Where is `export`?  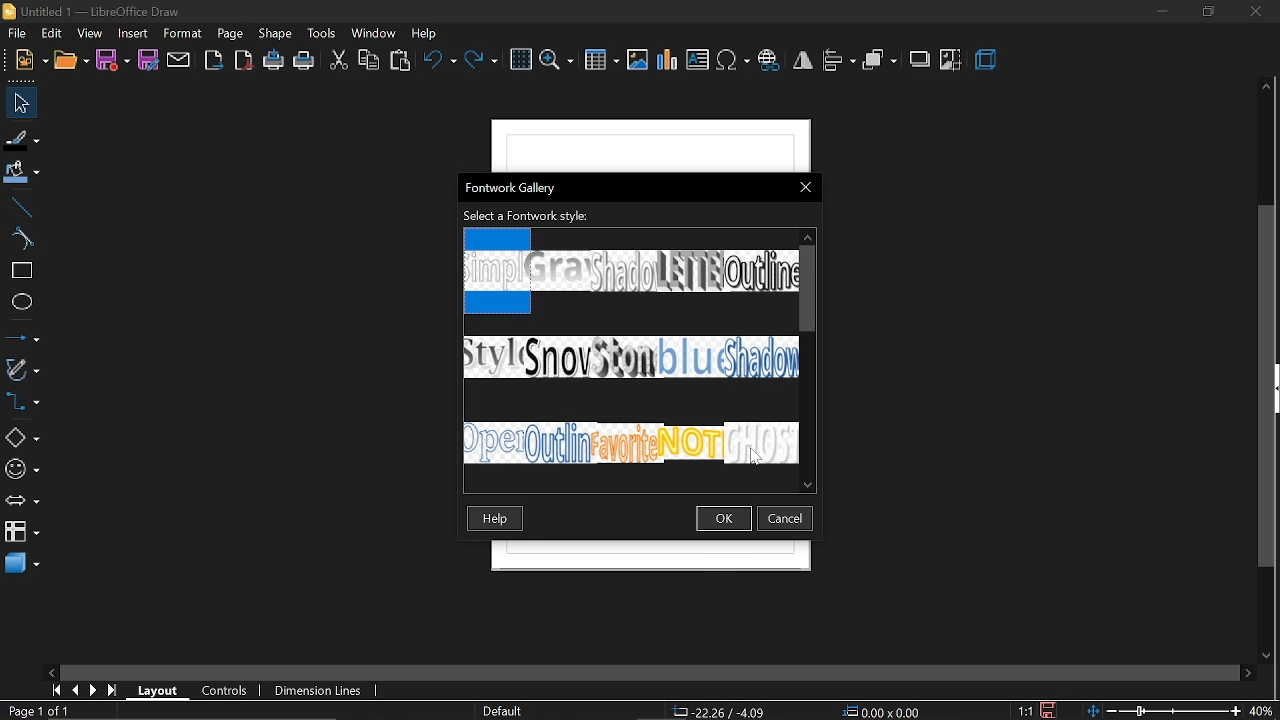 export is located at coordinates (214, 62).